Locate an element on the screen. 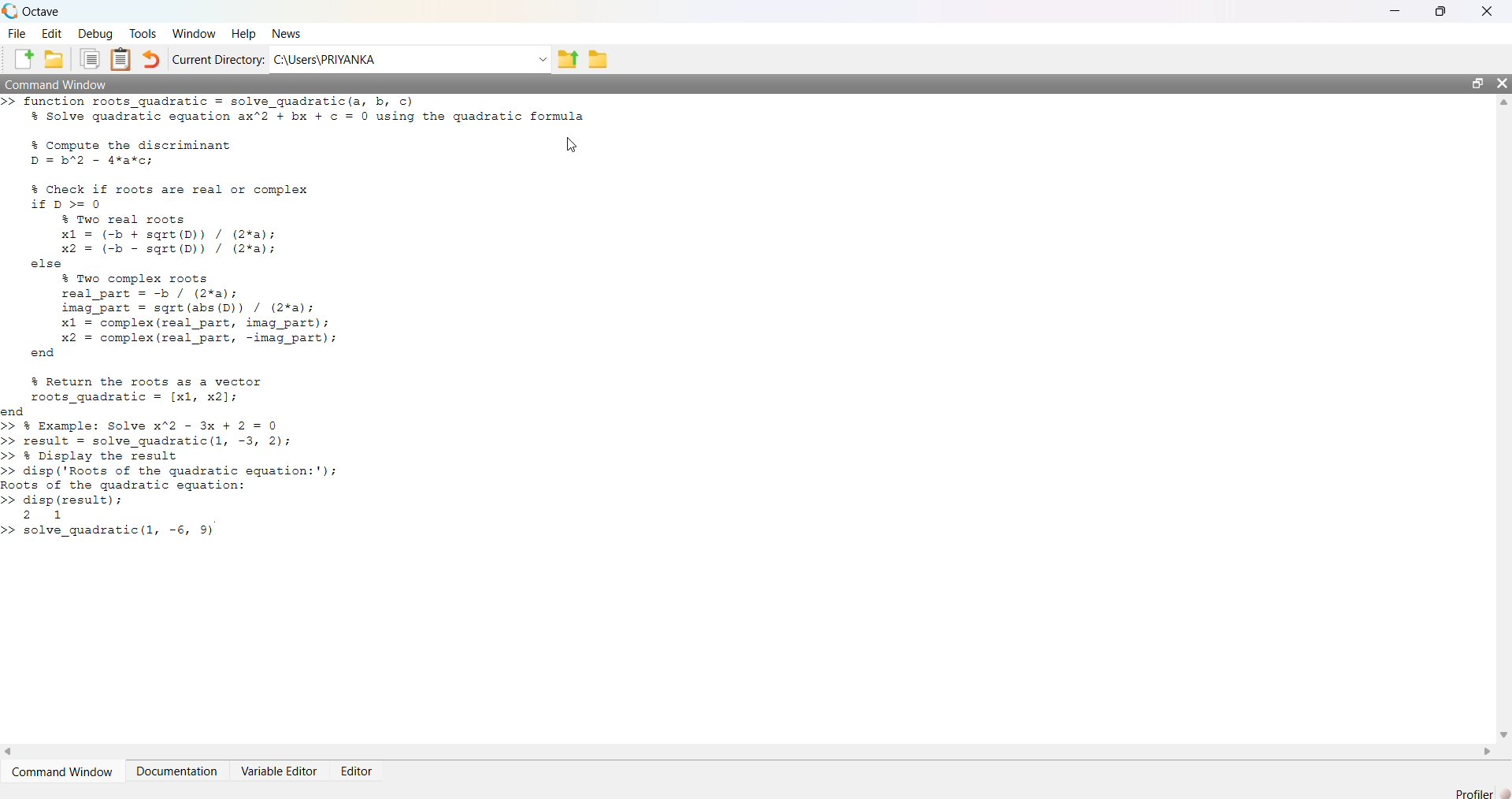 This screenshot has height=799, width=1512. Maximize / Restore is located at coordinates (1444, 13).